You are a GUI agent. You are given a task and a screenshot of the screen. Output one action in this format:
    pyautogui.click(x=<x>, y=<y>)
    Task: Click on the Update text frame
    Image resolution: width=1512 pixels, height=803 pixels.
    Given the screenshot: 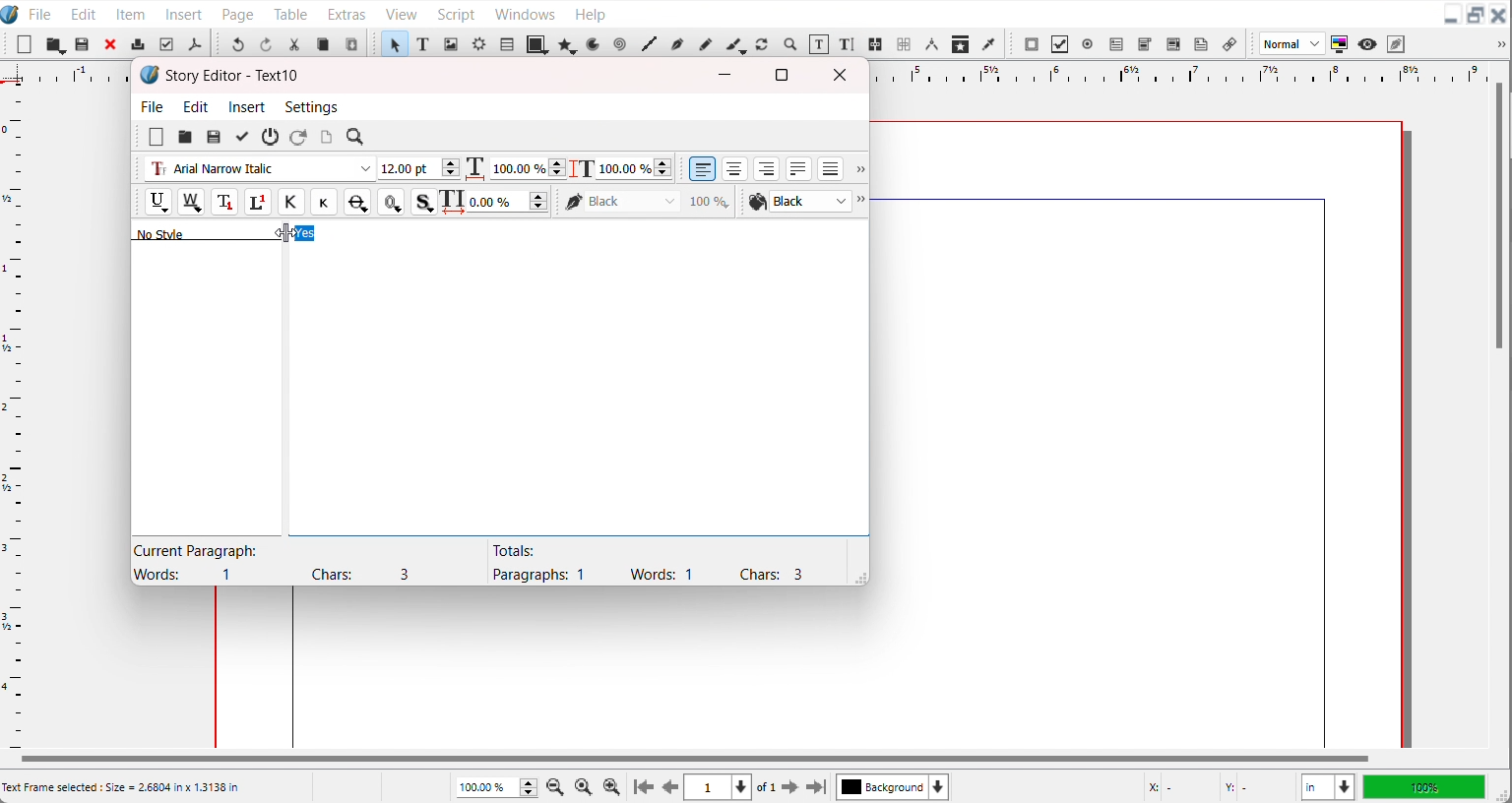 What is the action you would take?
    pyautogui.click(x=326, y=137)
    